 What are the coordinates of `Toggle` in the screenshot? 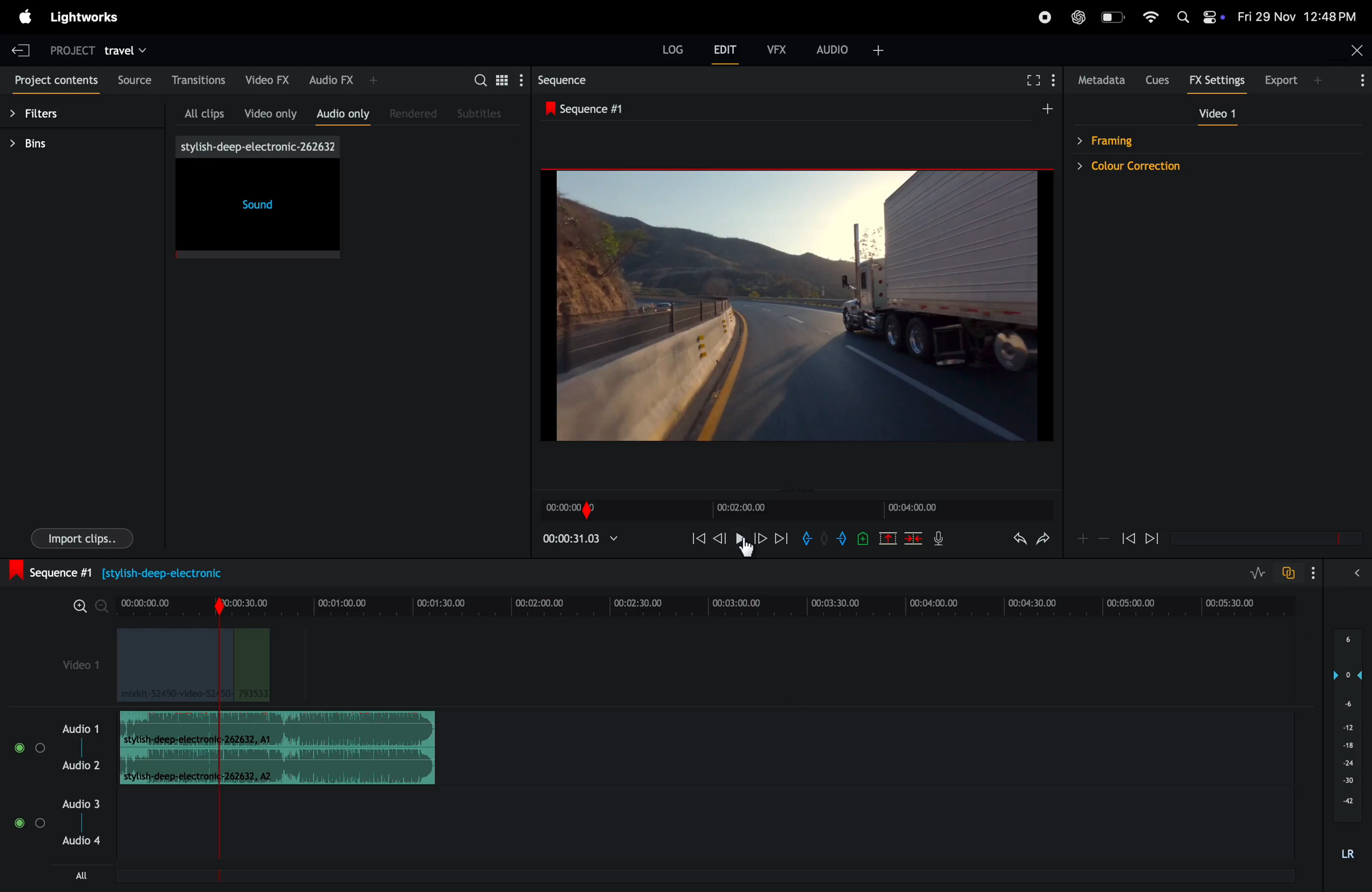 It's located at (18, 825).